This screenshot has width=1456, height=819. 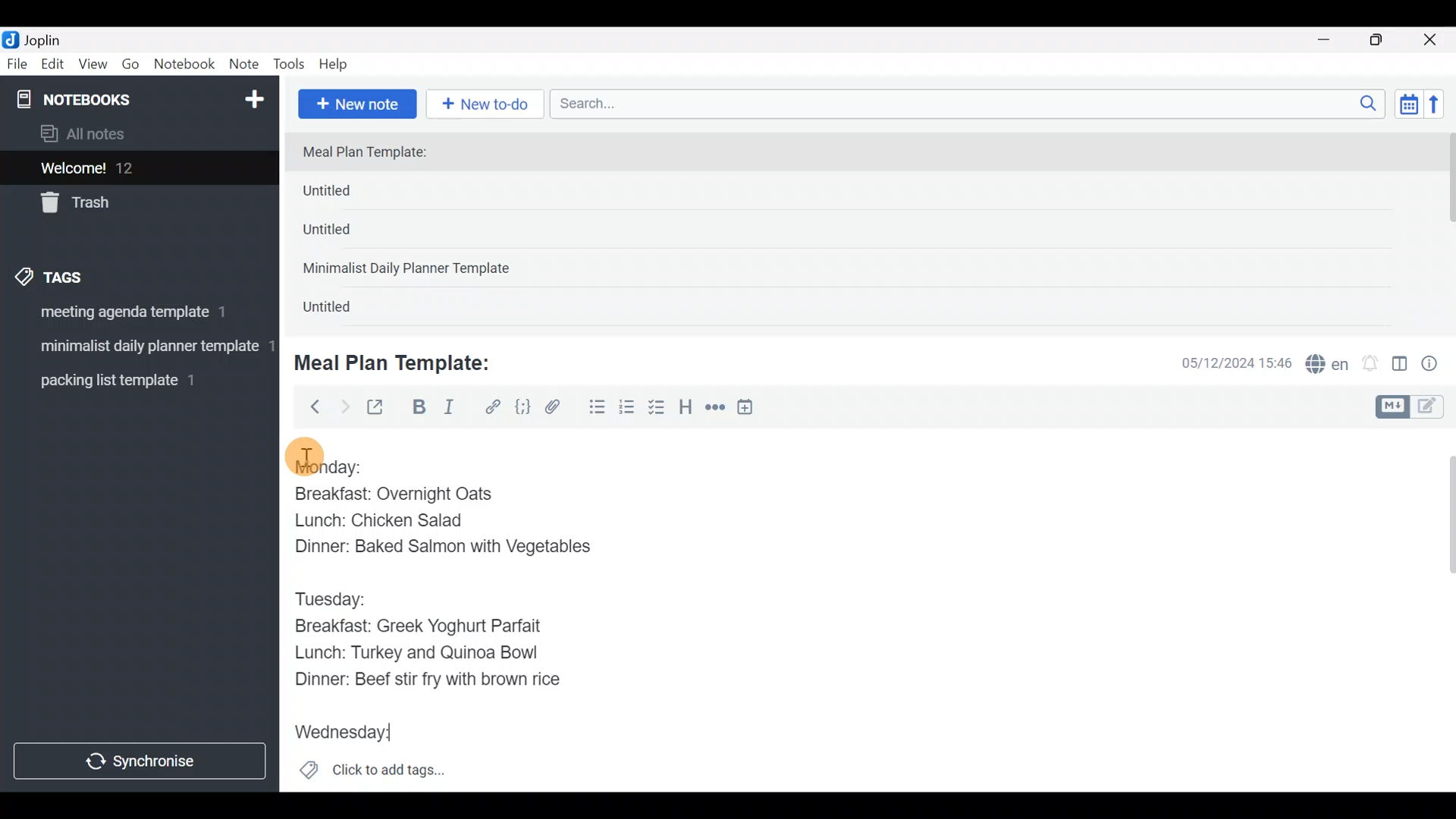 I want to click on Wednesday:, so click(x=340, y=735).